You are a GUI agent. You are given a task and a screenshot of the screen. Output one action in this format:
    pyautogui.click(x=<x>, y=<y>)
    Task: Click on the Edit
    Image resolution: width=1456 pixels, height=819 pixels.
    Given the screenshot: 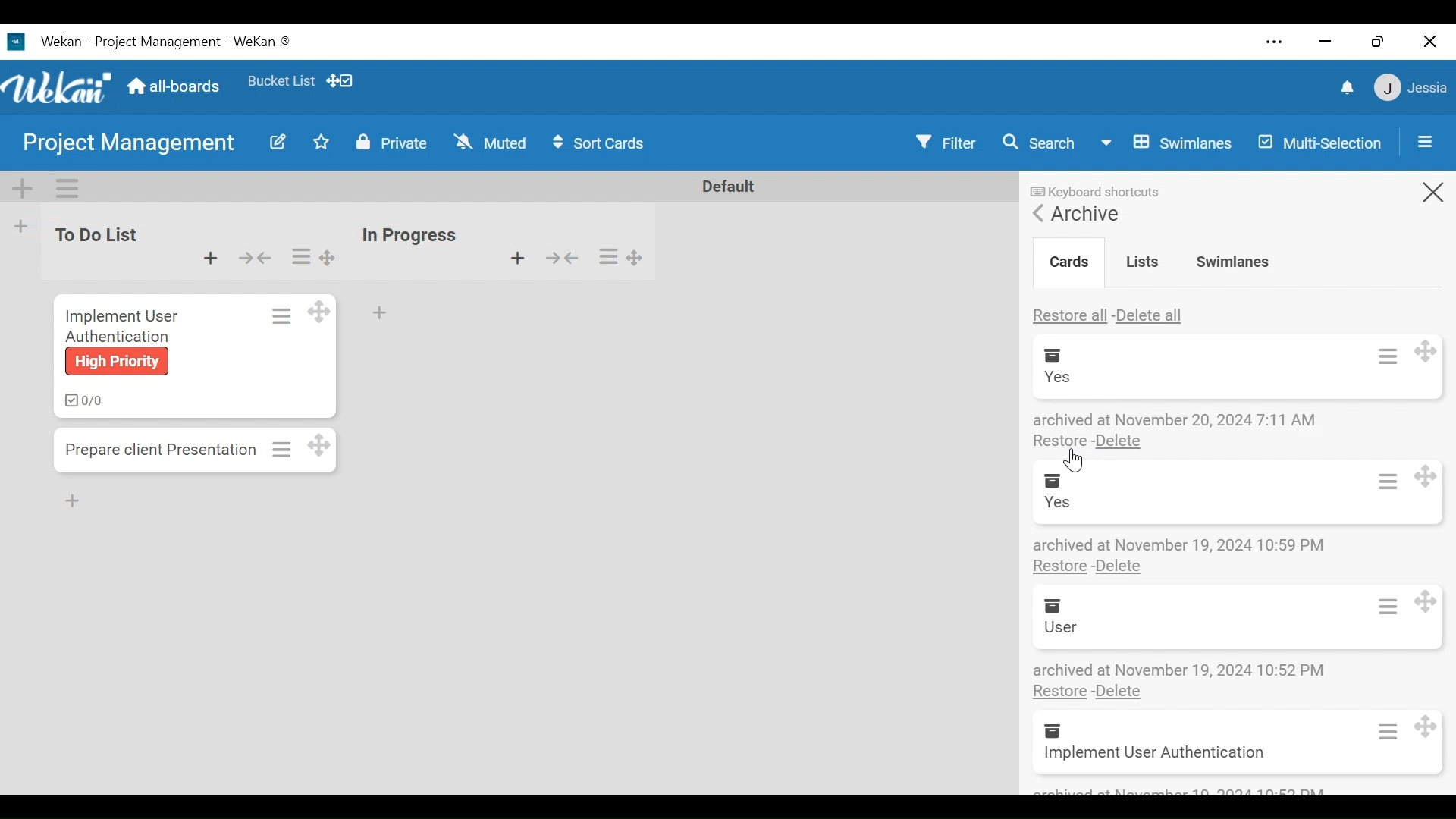 What is the action you would take?
    pyautogui.click(x=275, y=143)
    